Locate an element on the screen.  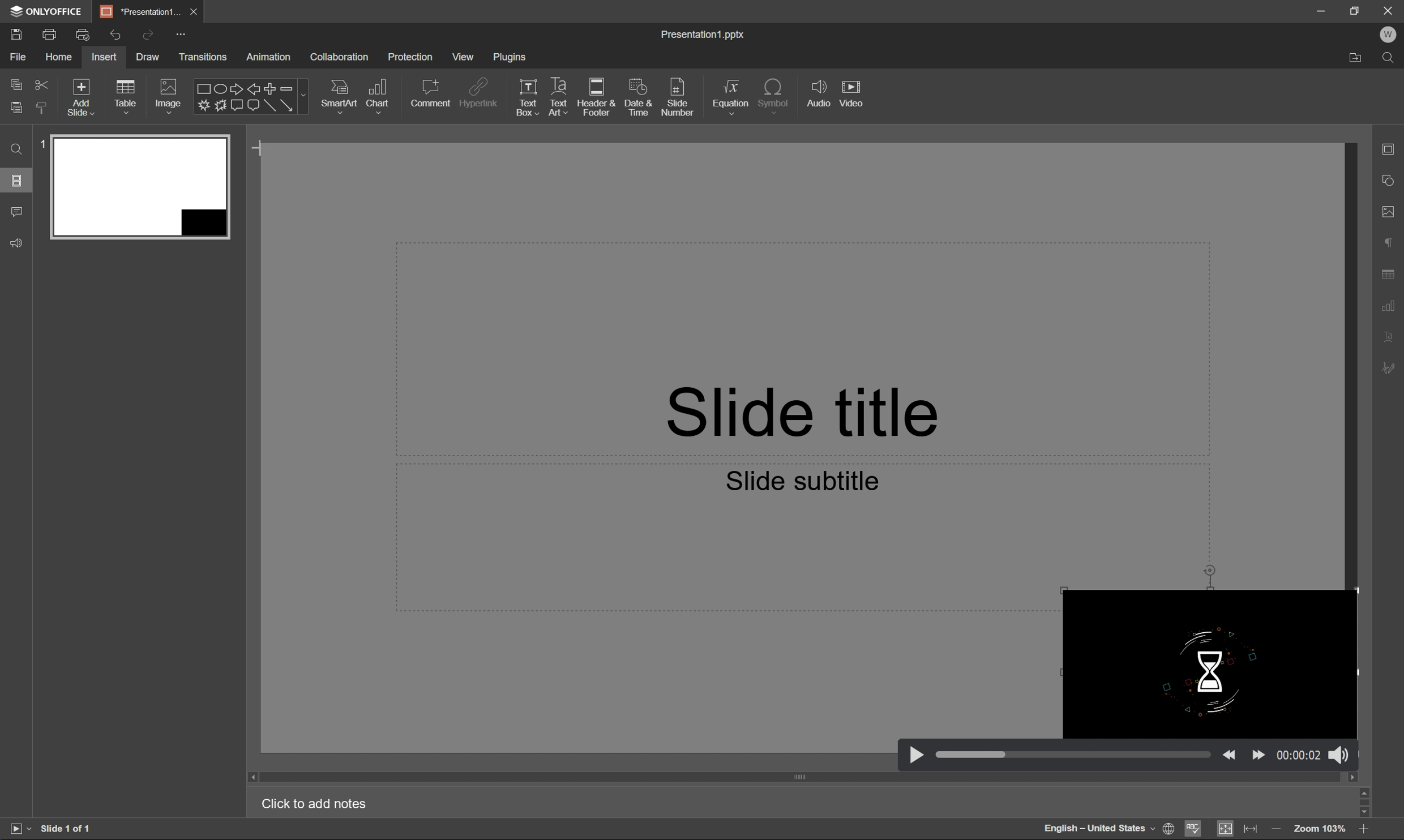
file is located at coordinates (16, 55).